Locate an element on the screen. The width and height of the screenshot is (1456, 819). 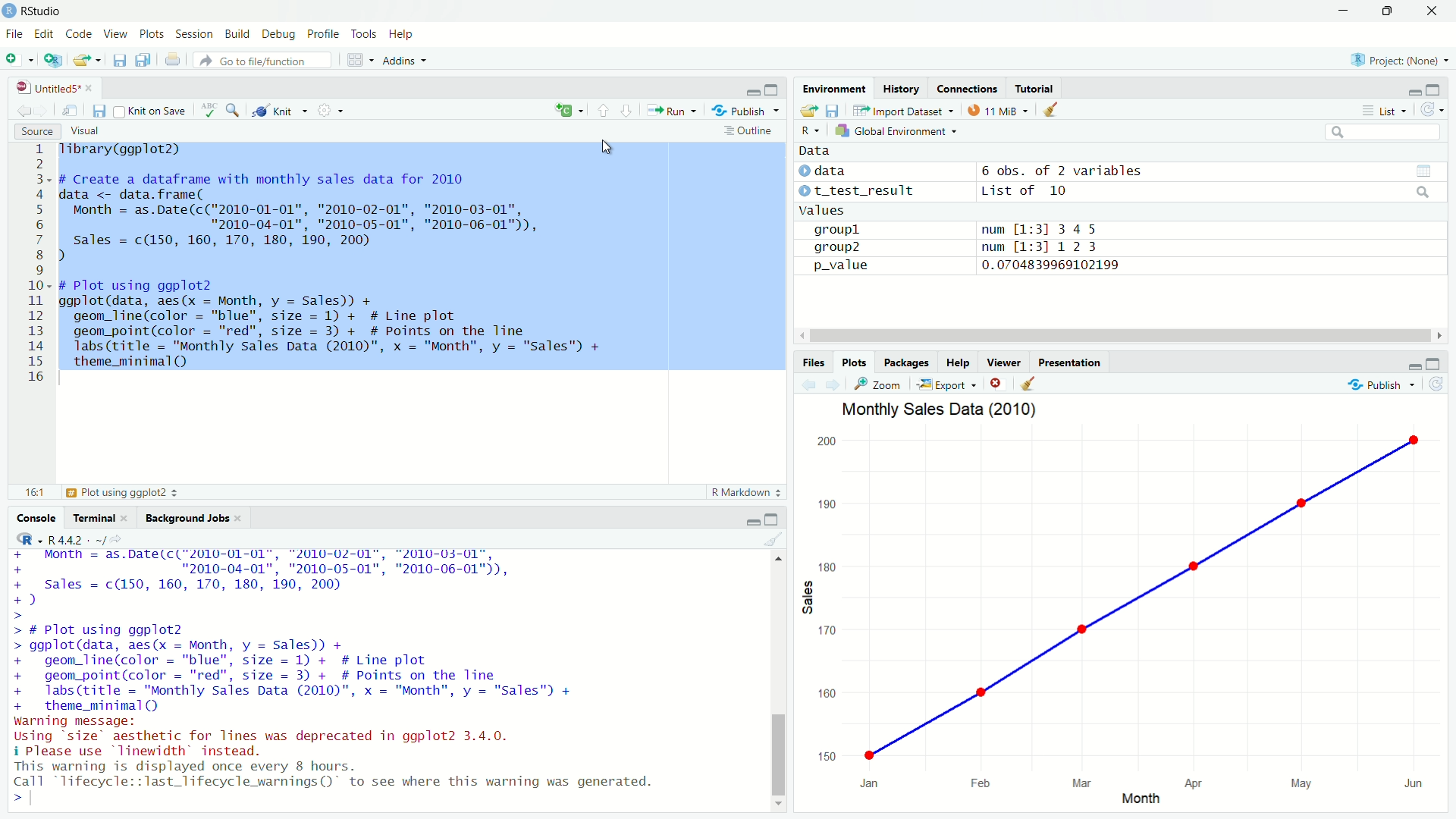
List + is located at coordinates (1382, 110).